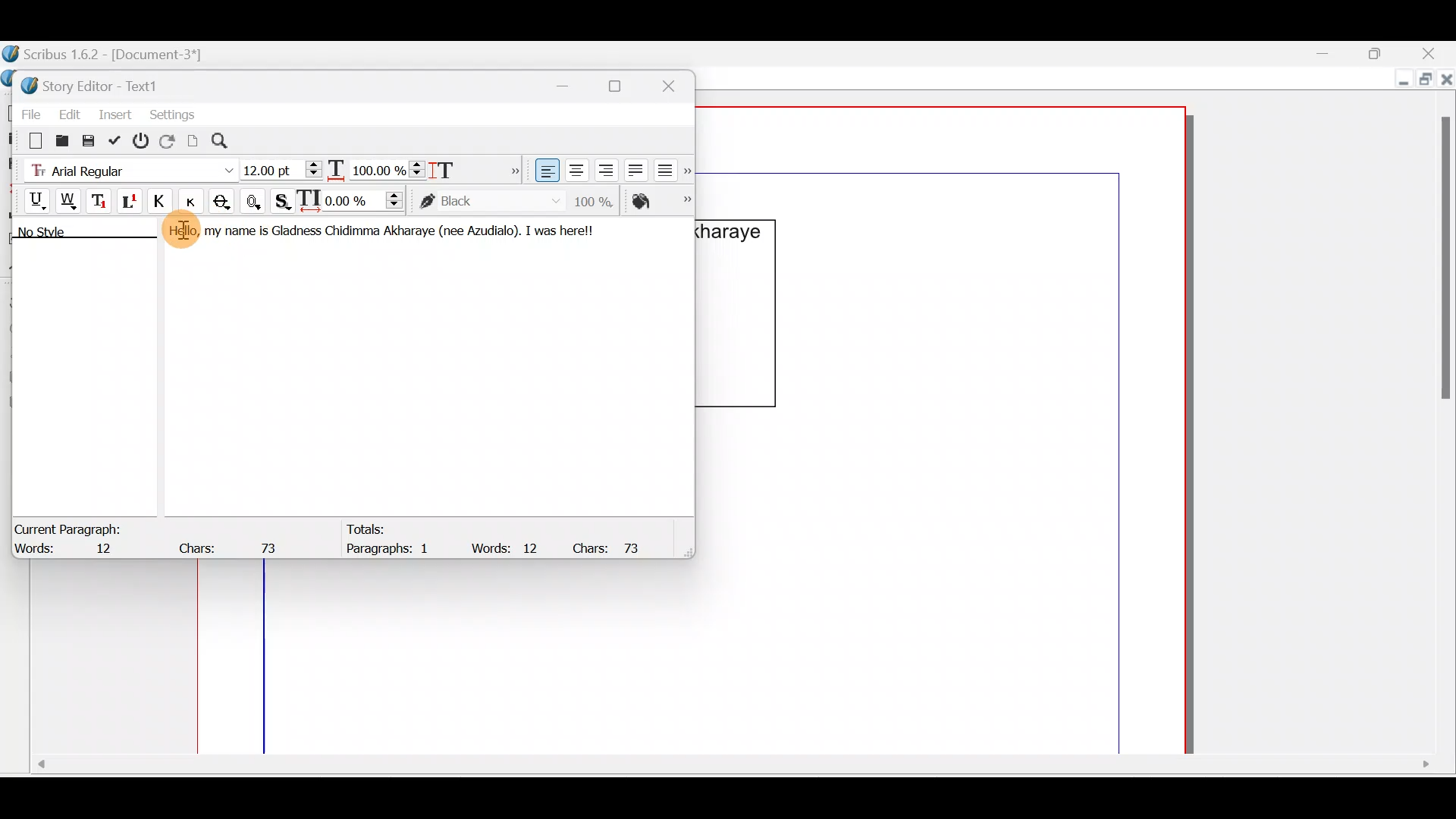 The width and height of the screenshot is (1456, 819). I want to click on Story Editor - Text1, so click(95, 84).